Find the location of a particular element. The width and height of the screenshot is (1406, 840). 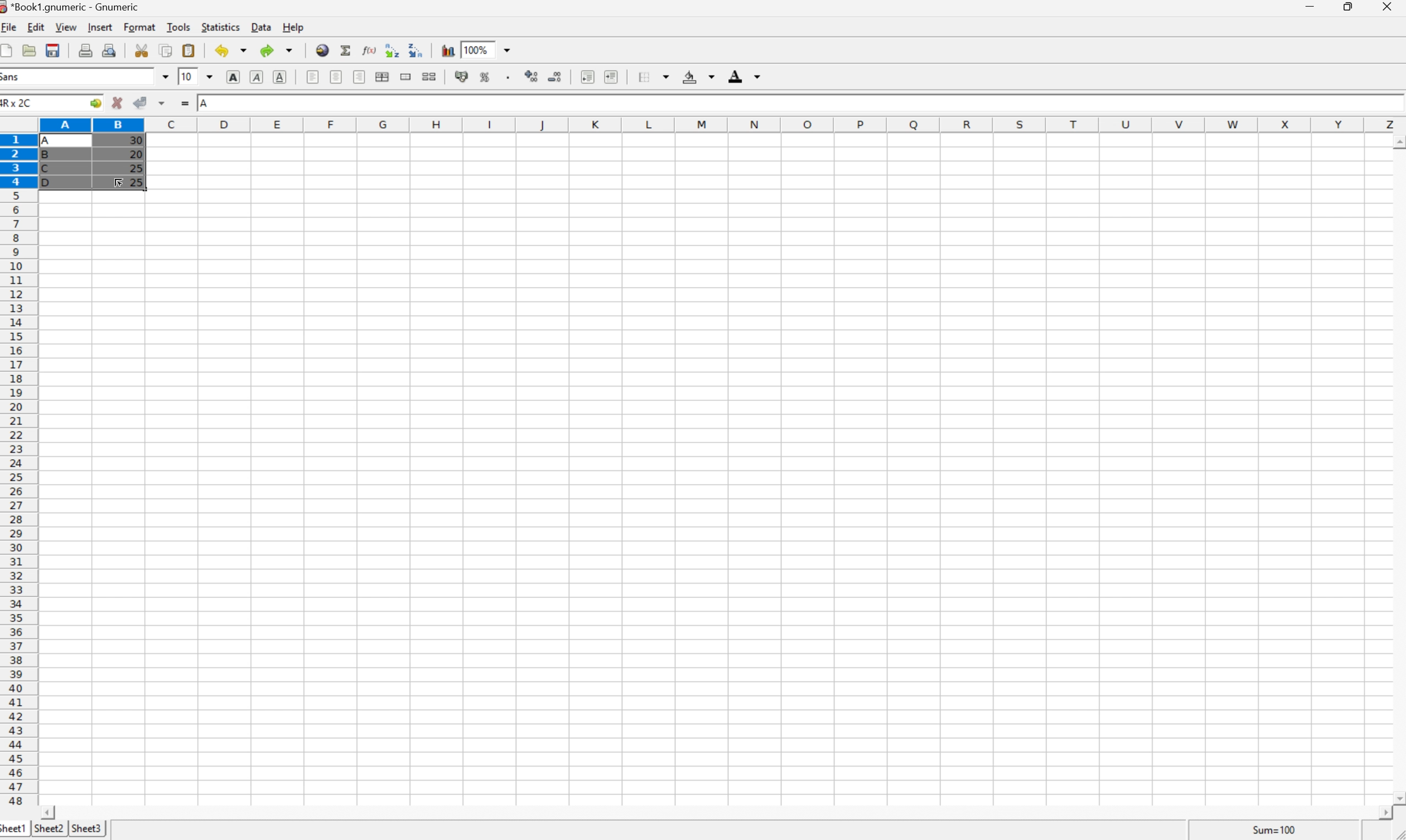

10 is located at coordinates (187, 76).